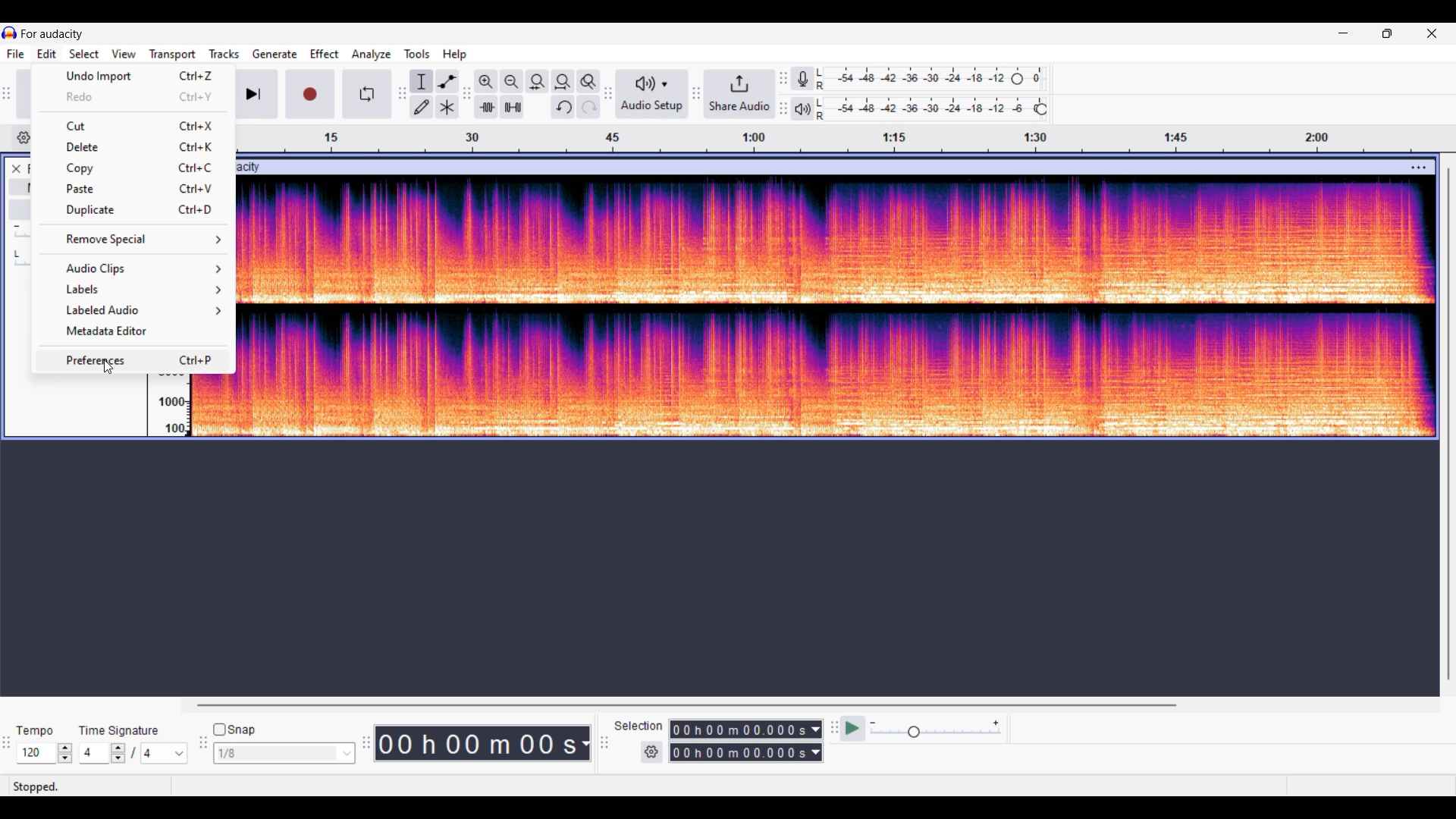 Image resolution: width=1456 pixels, height=819 pixels. What do you see at coordinates (1344, 33) in the screenshot?
I see `Minimize` at bounding box center [1344, 33].